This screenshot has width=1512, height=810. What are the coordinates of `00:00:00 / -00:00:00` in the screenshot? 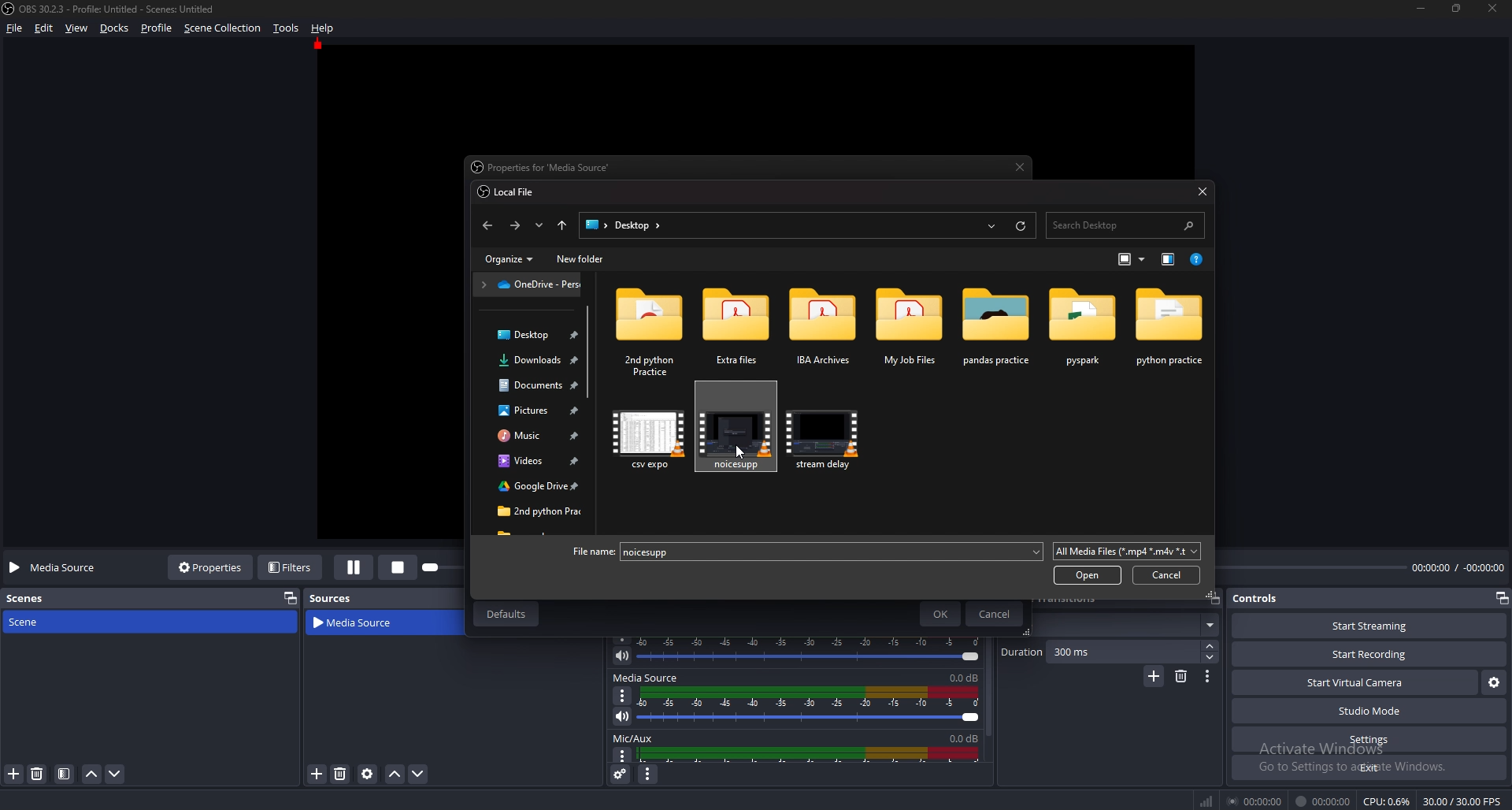 It's located at (1458, 567).